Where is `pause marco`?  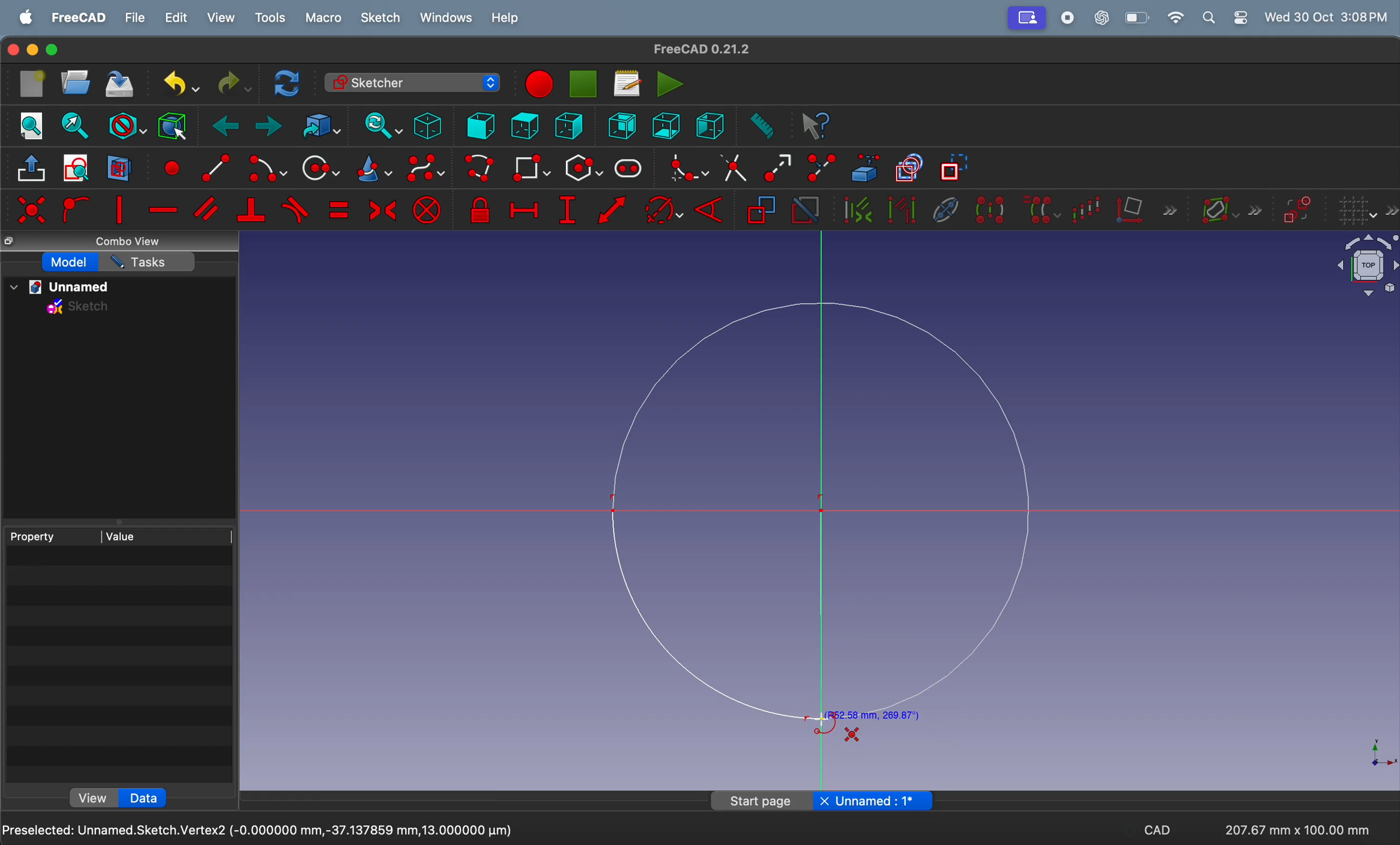
pause marco is located at coordinates (584, 84).